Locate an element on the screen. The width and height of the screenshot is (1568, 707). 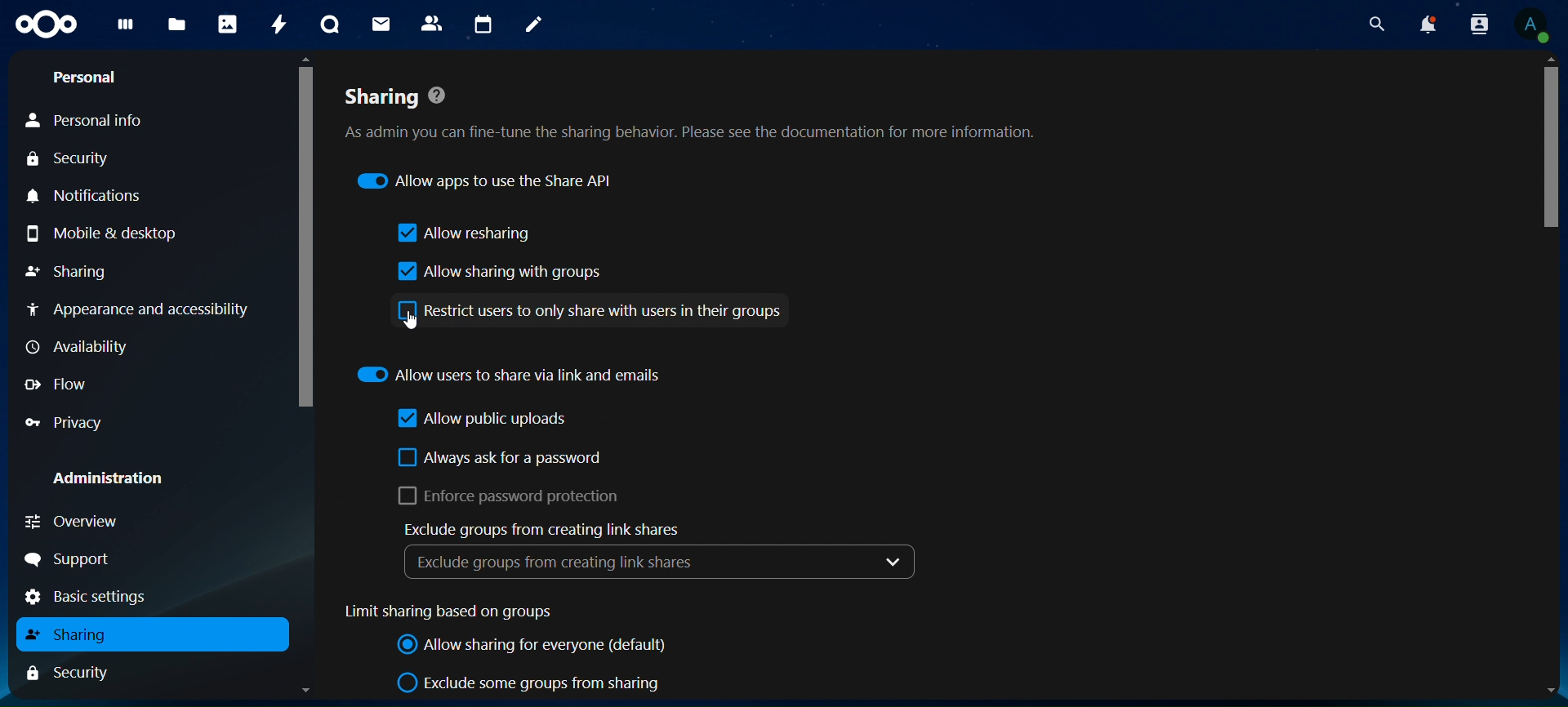
calendar is located at coordinates (483, 23).